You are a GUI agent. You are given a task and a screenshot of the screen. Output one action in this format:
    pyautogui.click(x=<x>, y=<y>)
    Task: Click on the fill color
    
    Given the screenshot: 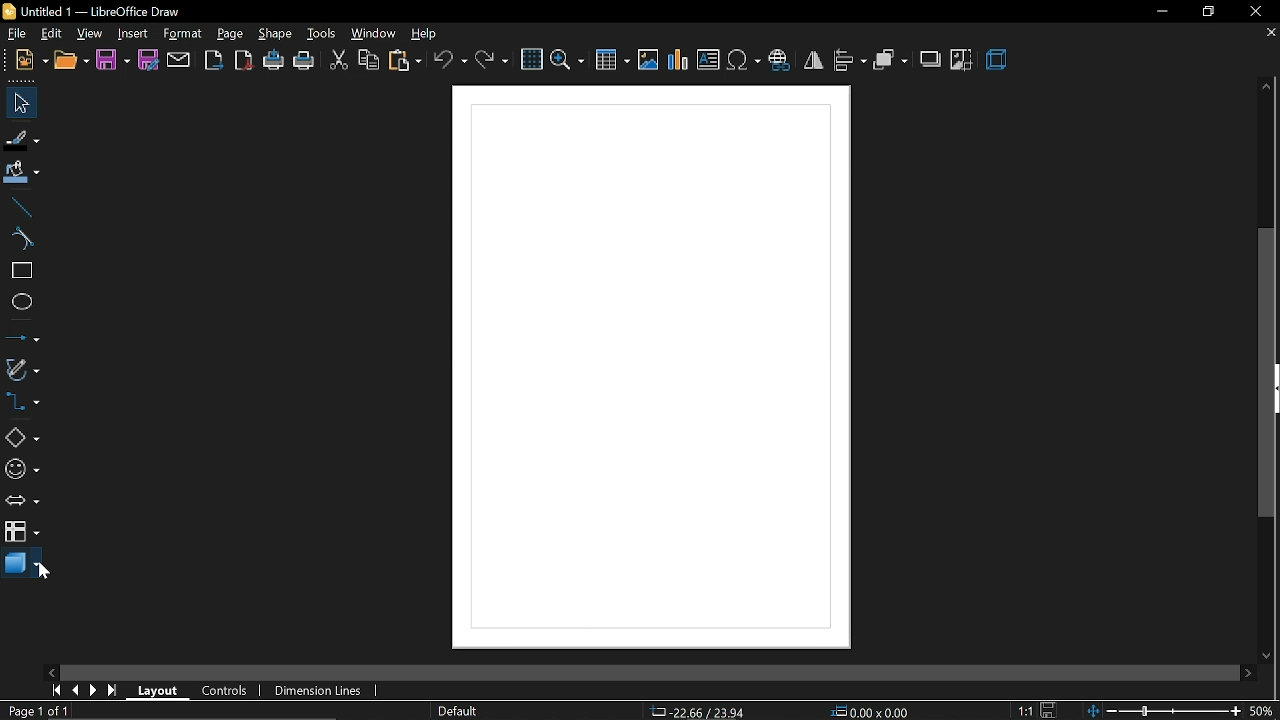 What is the action you would take?
    pyautogui.click(x=24, y=173)
    